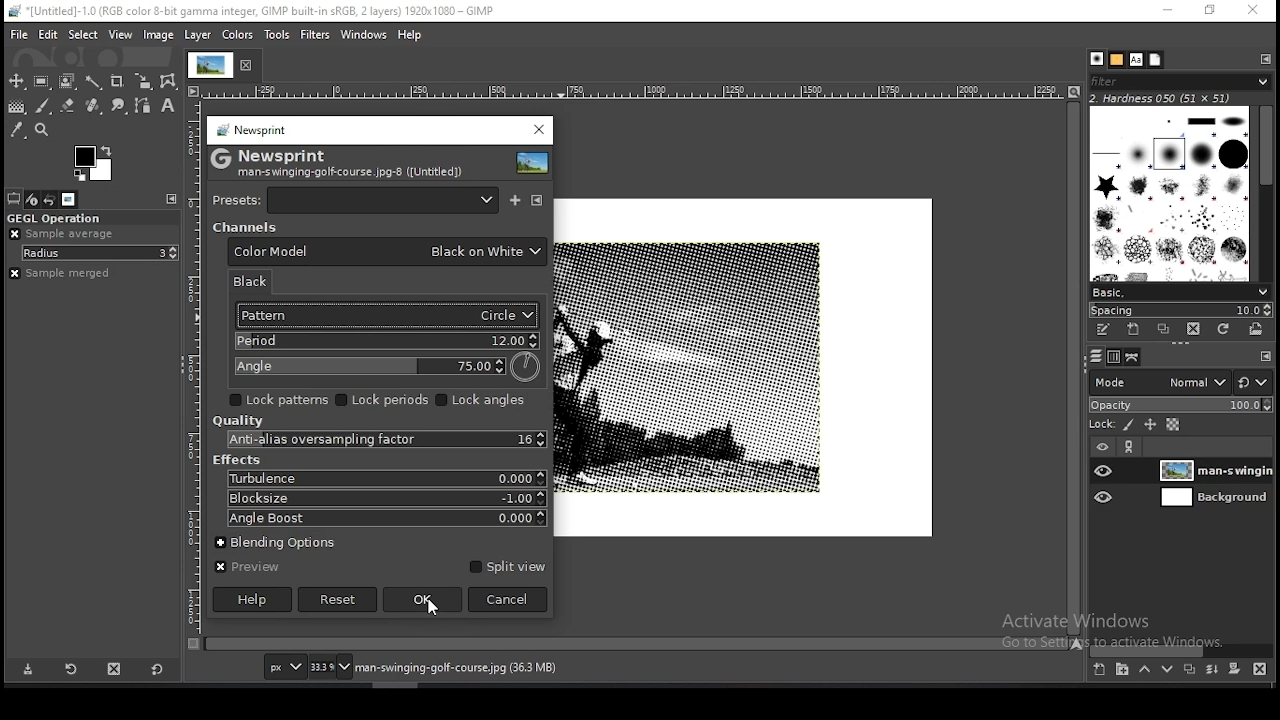 The image size is (1280, 720). What do you see at coordinates (18, 107) in the screenshot?
I see `gradient fill tool` at bounding box center [18, 107].